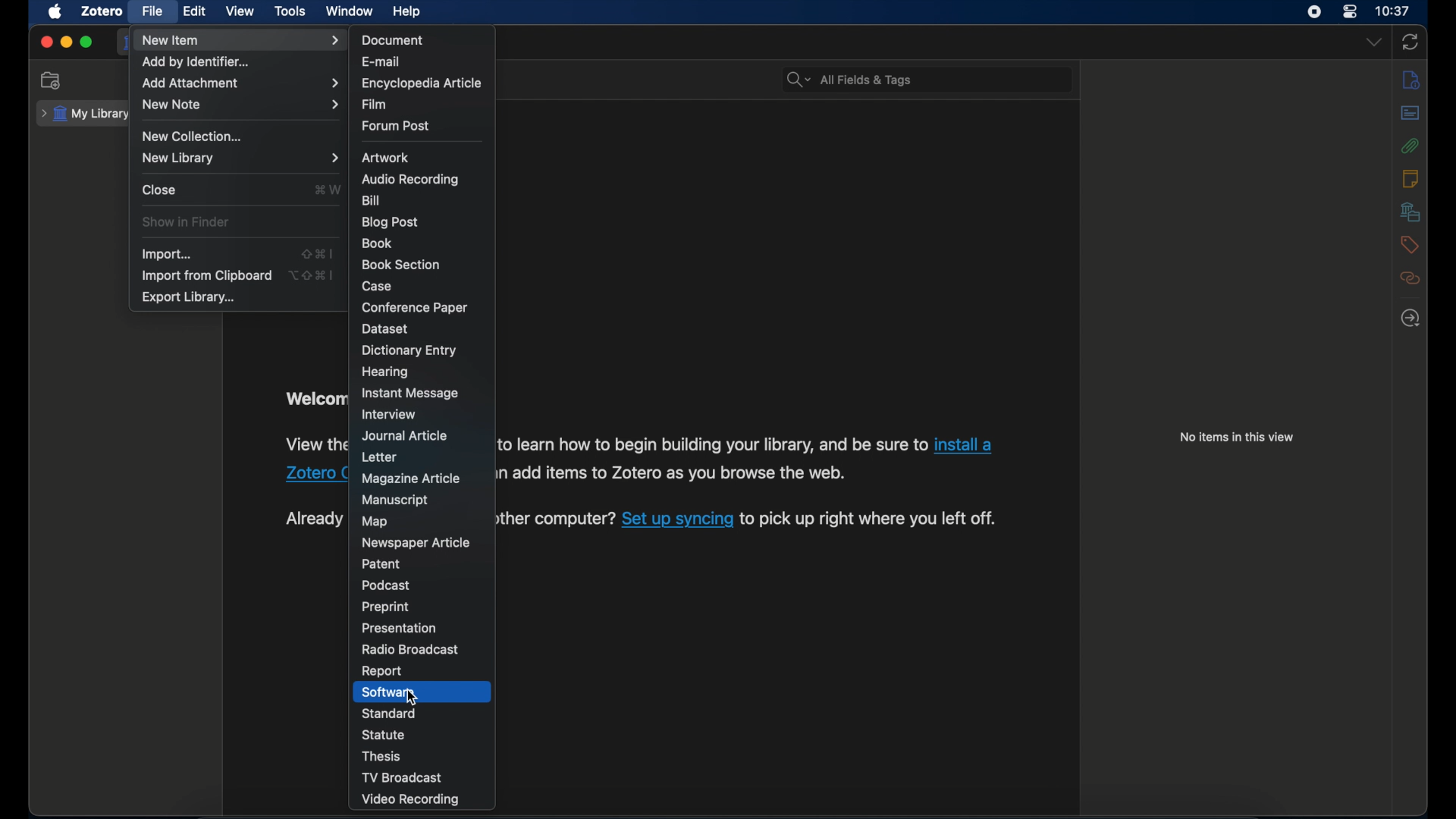  What do you see at coordinates (238, 158) in the screenshot?
I see `new library` at bounding box center [238, 158].